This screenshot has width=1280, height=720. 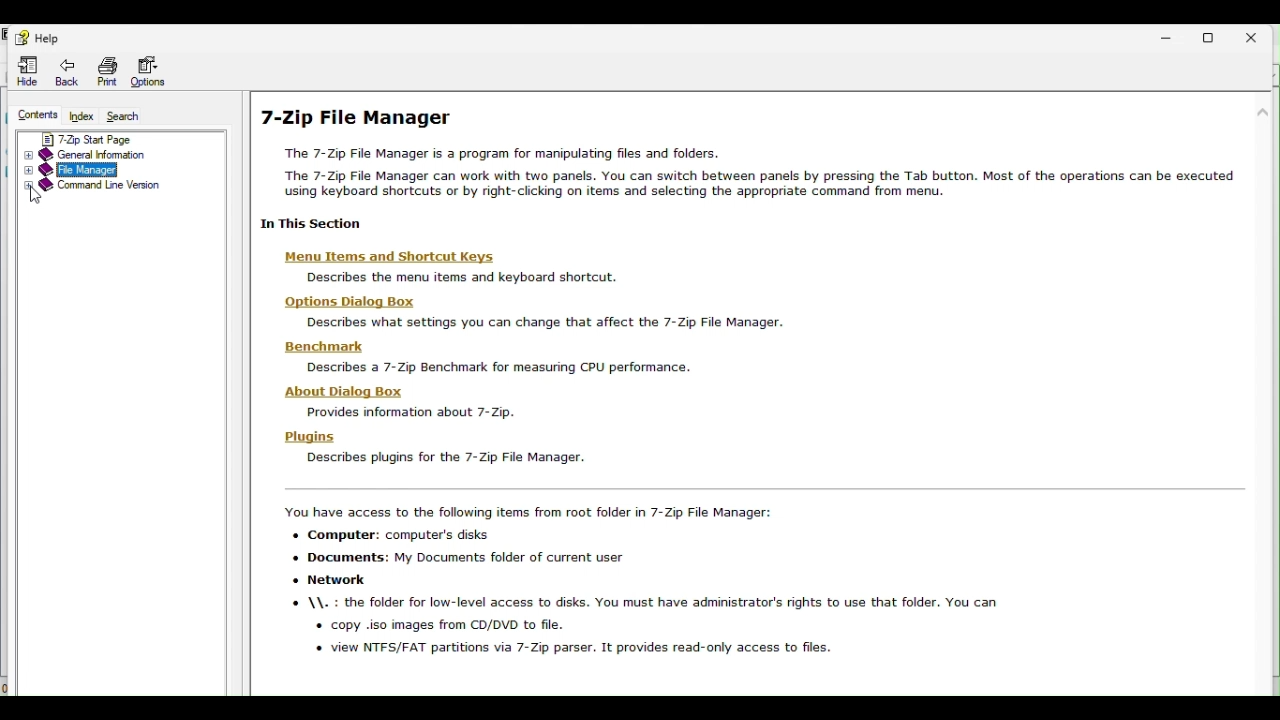 I want to click on General information, so click(x=114, y=152).